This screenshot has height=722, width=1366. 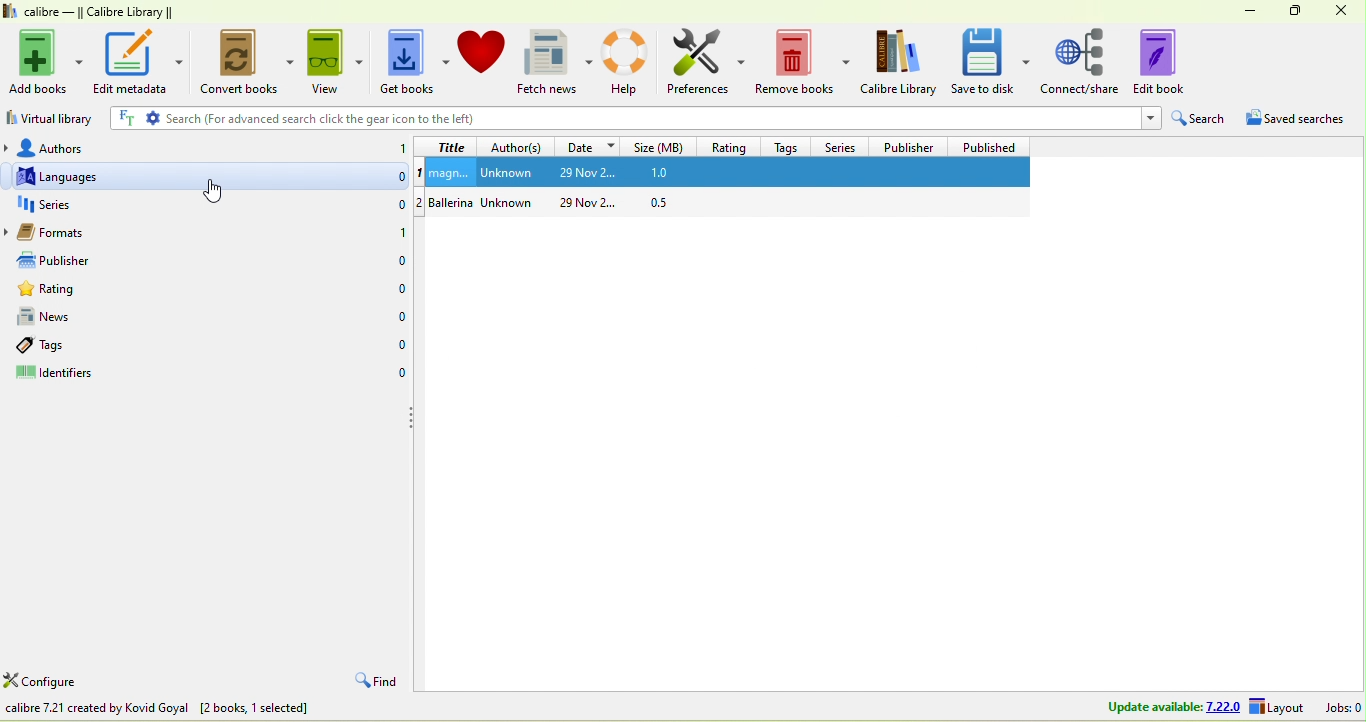 I want to click on jobs 0, so click(x=1340, y=707).